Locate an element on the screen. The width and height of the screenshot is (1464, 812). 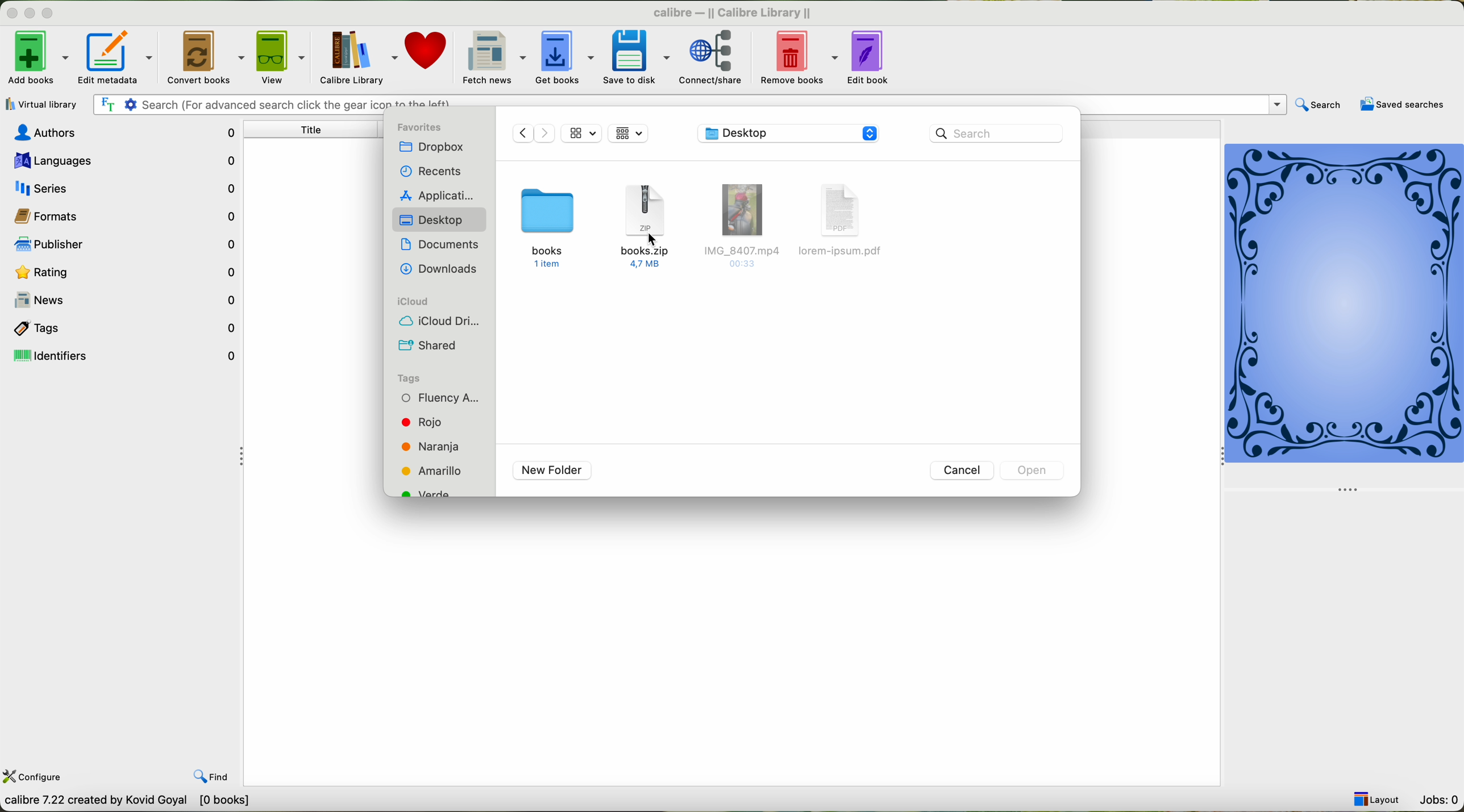
search is located at coordinates (1320, 104).